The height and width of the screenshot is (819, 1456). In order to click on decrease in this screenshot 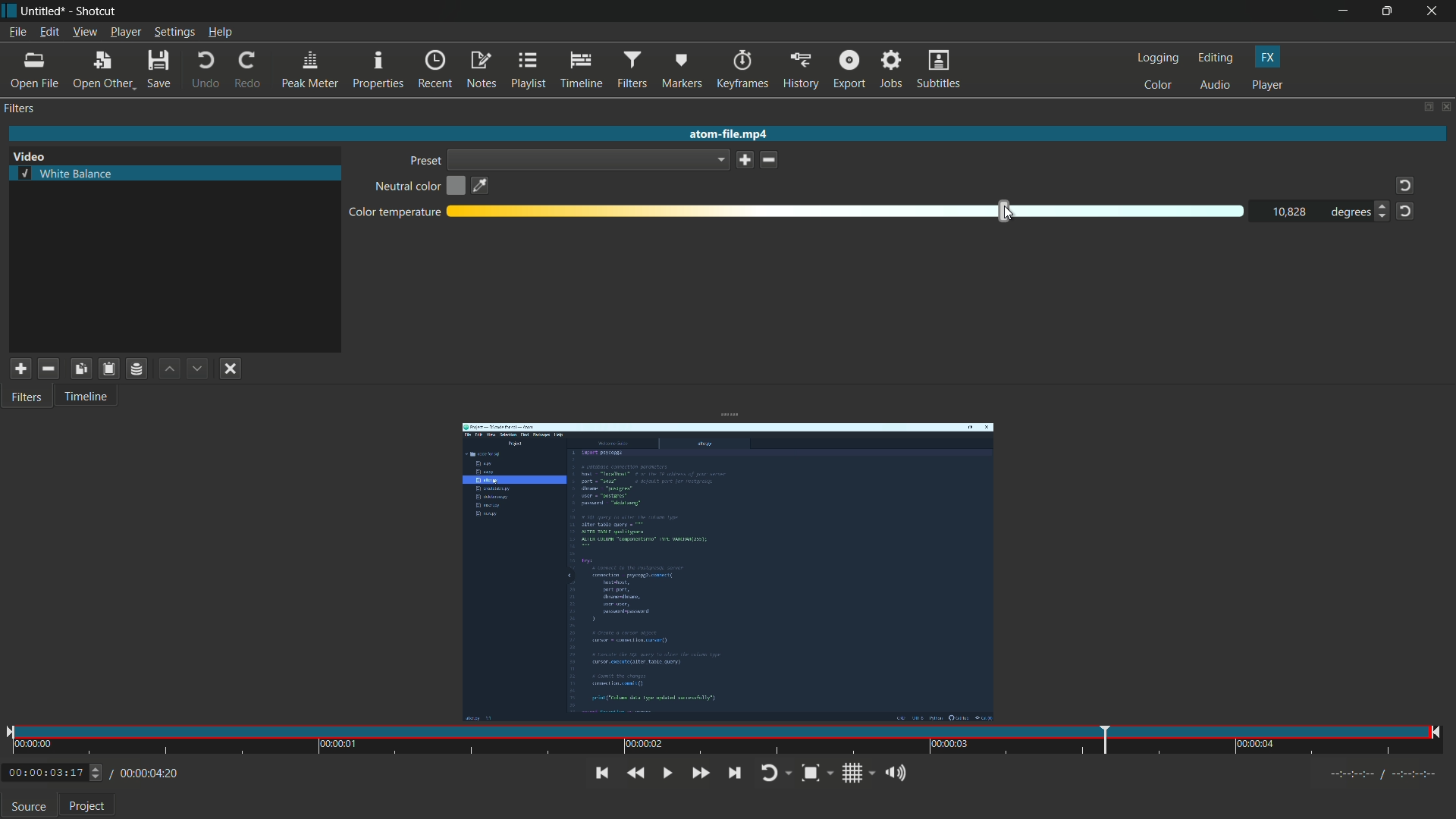, I will do `click(1384, 220)`.